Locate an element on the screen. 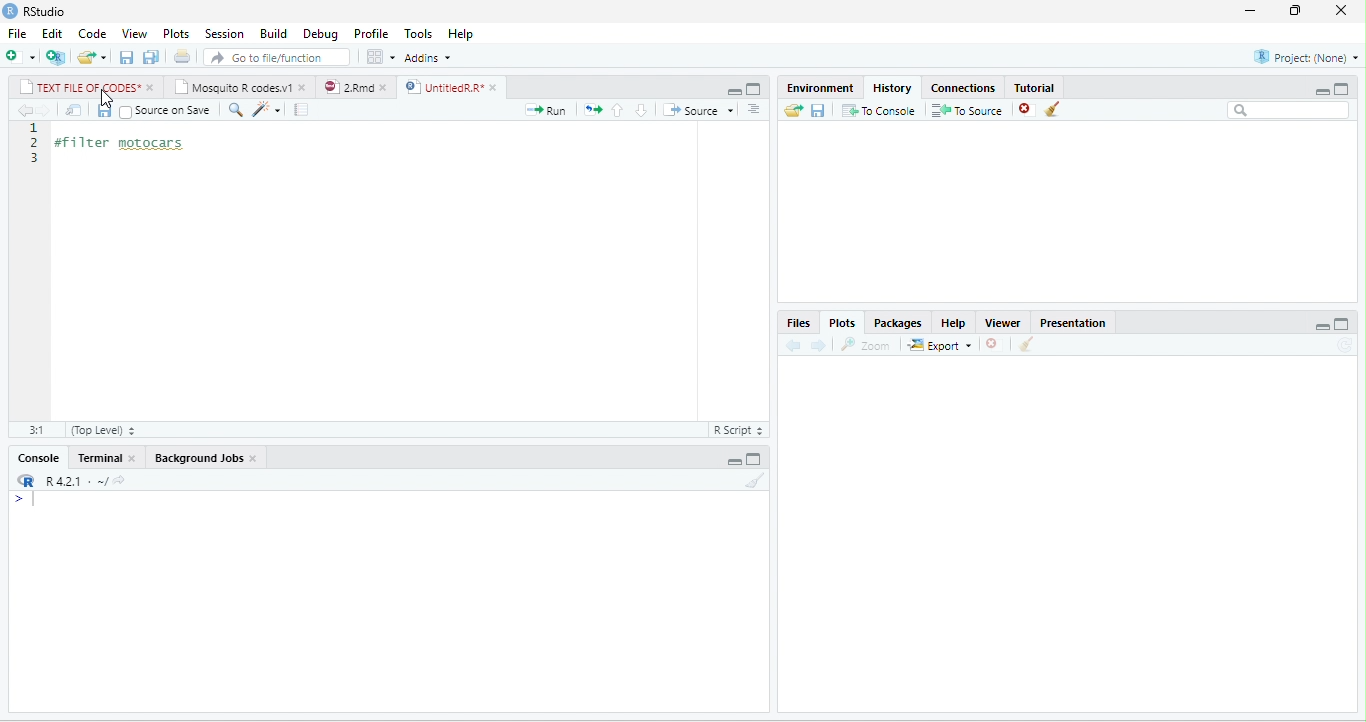 The width and height of the screenshot is (1366, 722). Mosquito R codes.v1 is located at coordinates (233, 86).